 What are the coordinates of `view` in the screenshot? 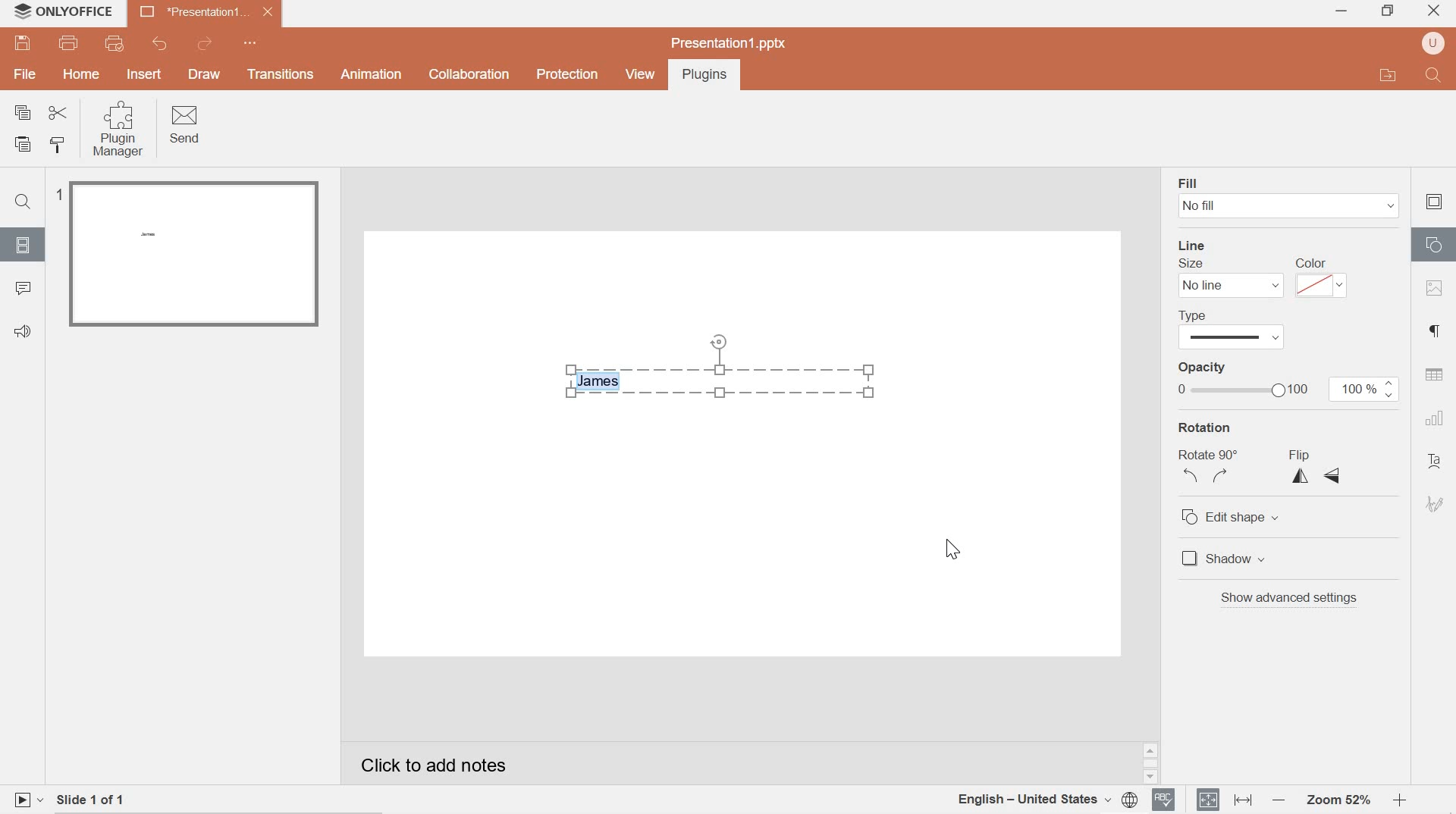 It's located at (639, 74).